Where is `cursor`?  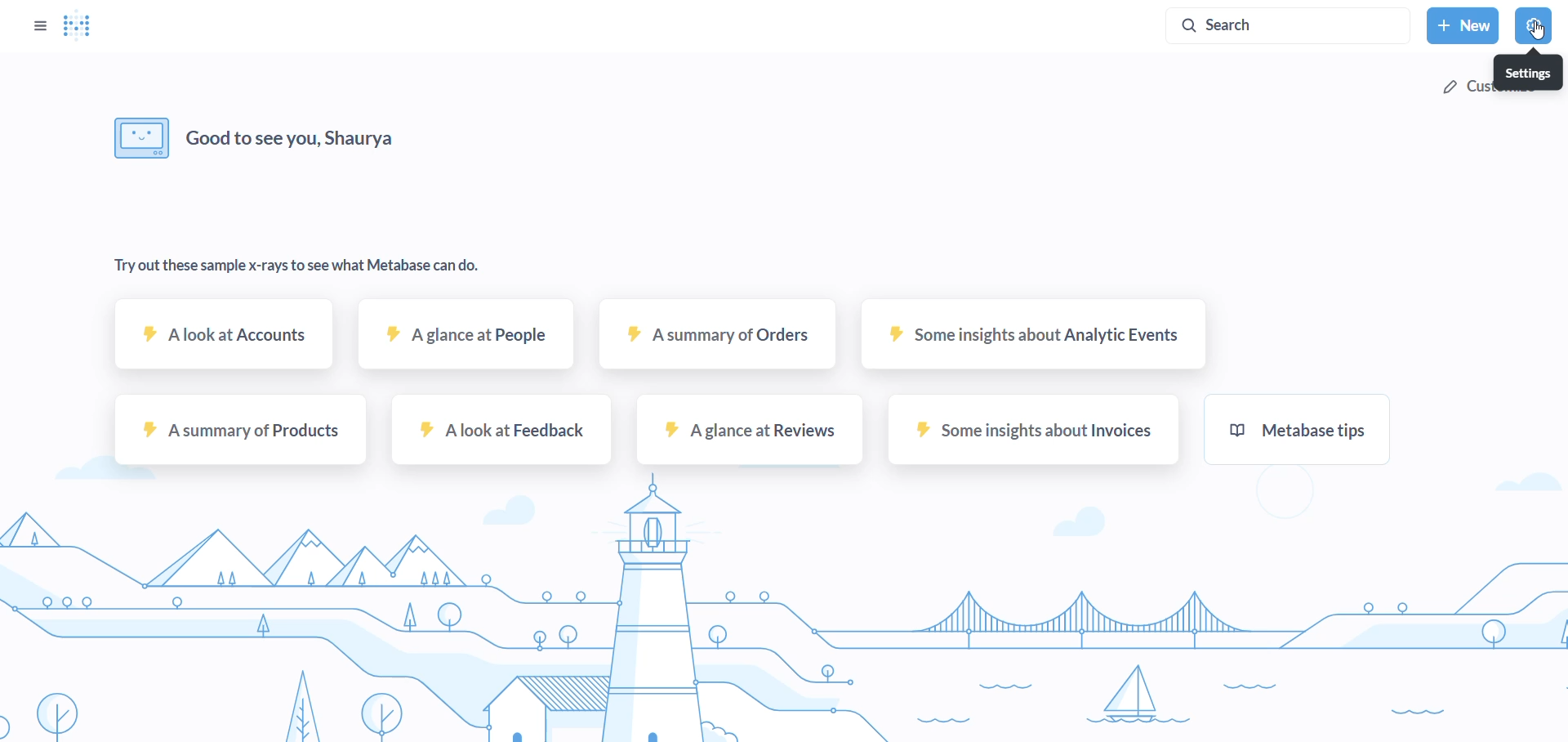 cursor is located at coordinates (1541, 32).